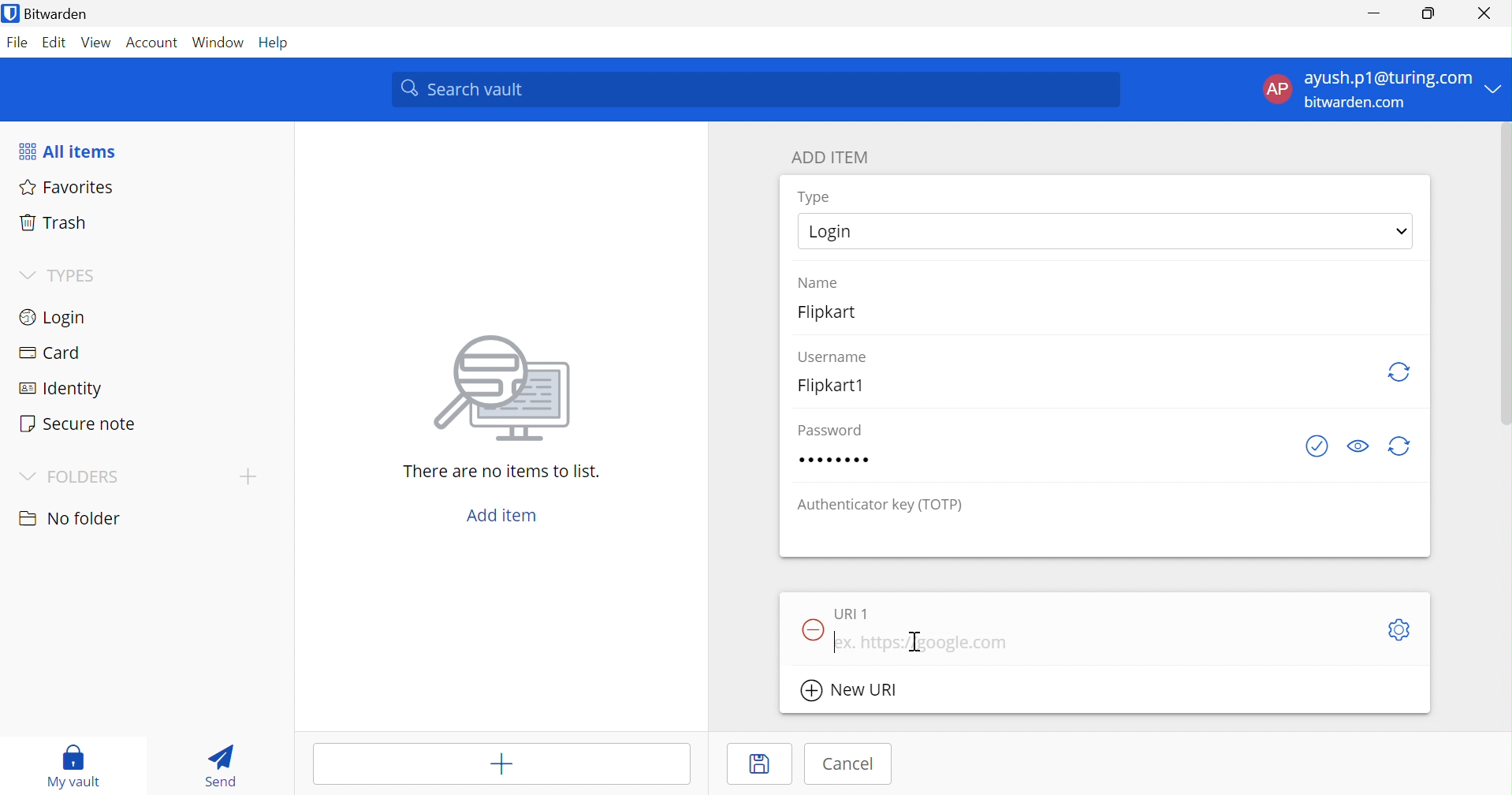 The width and height of the screenshot is (1512, 795). I want to click on Bitwarden, so click(58, 15).